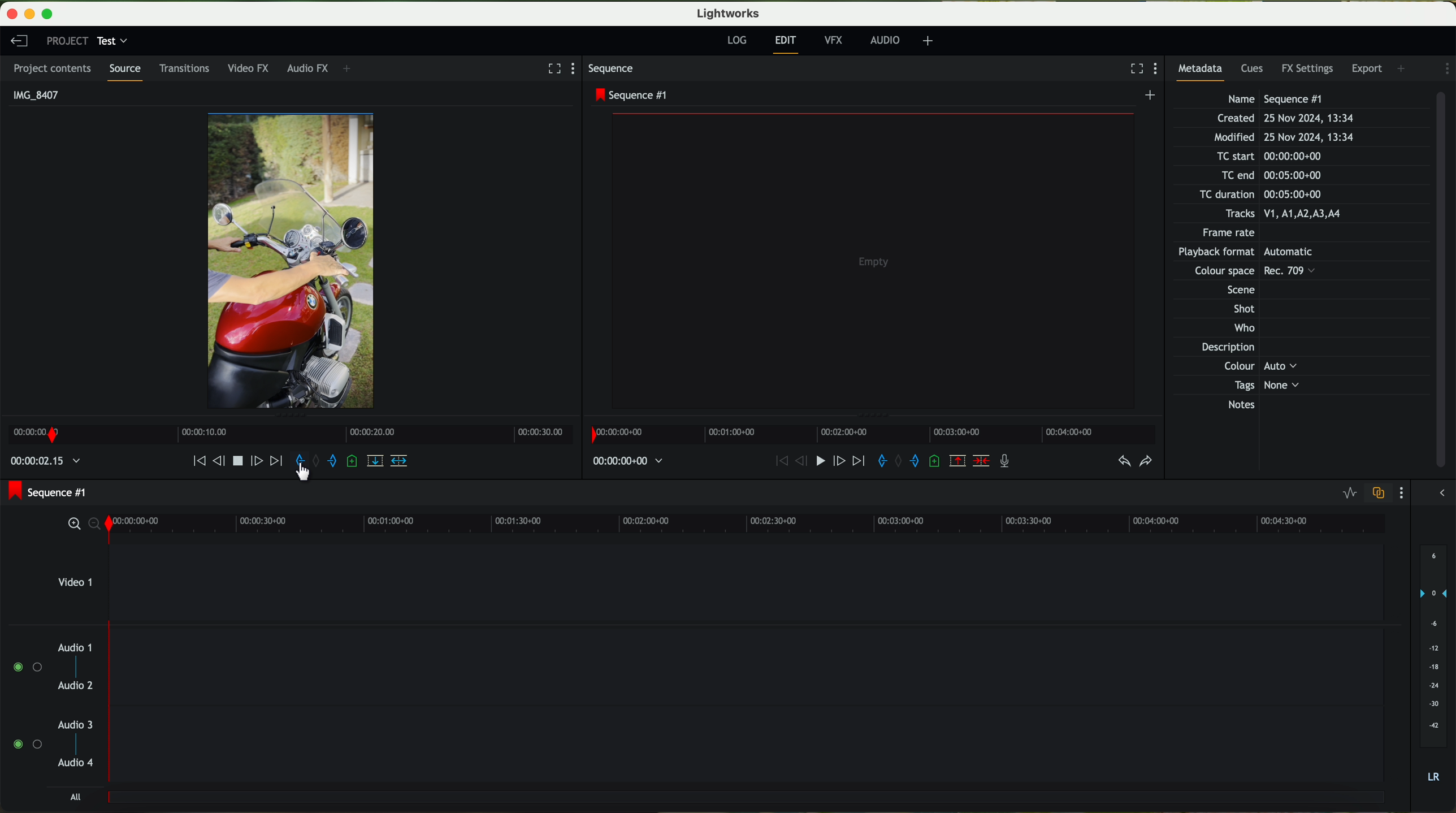 The width and height of the screenshot is (1456, 813). What do you see at coordinates (814, 462) in the screenshot?
I see `play` at bounding box center [814, 462].